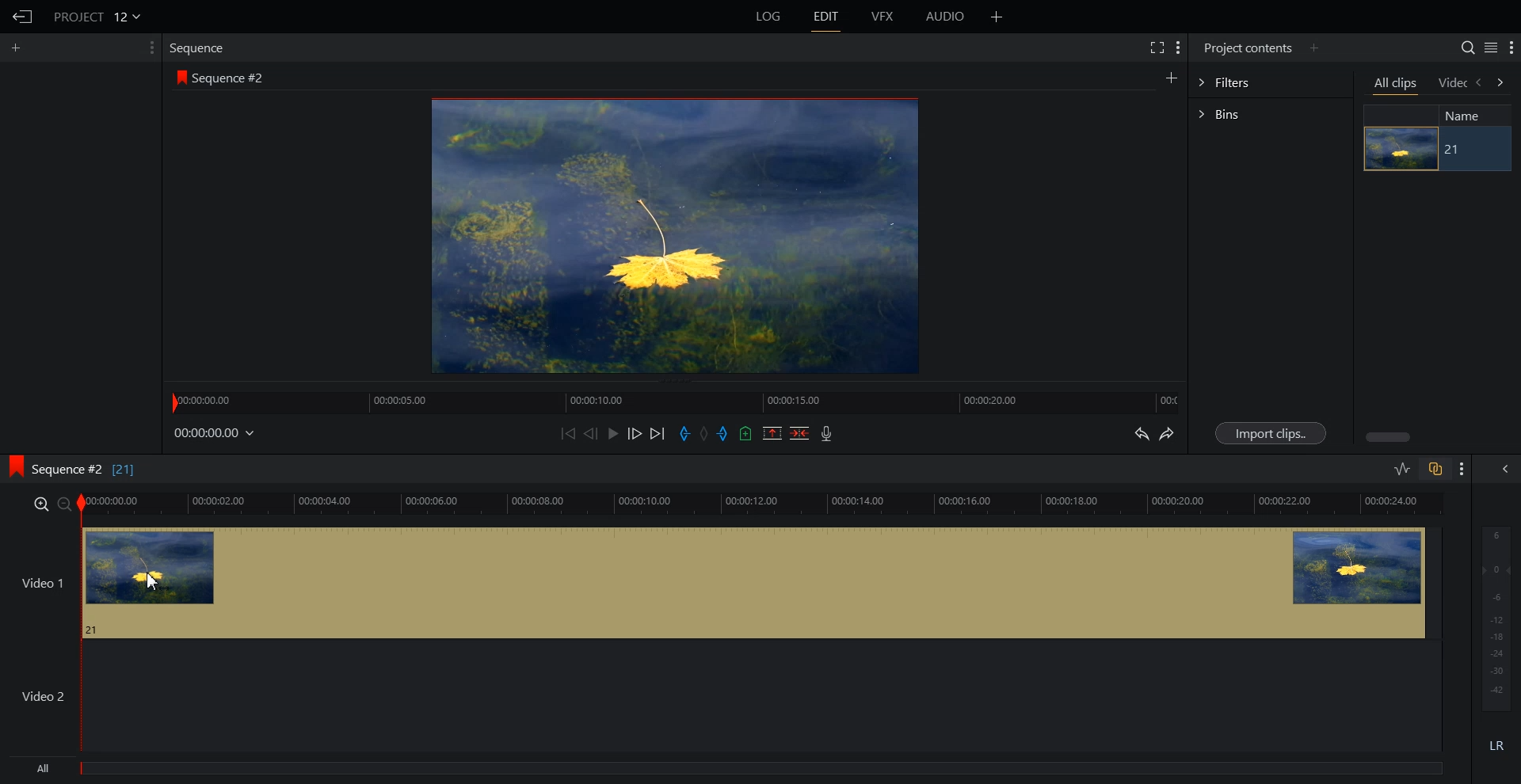  What do you see at coordinates (1245, 48) in the screenshot?
I see `Project contents` at bounding box center [1245, 48].